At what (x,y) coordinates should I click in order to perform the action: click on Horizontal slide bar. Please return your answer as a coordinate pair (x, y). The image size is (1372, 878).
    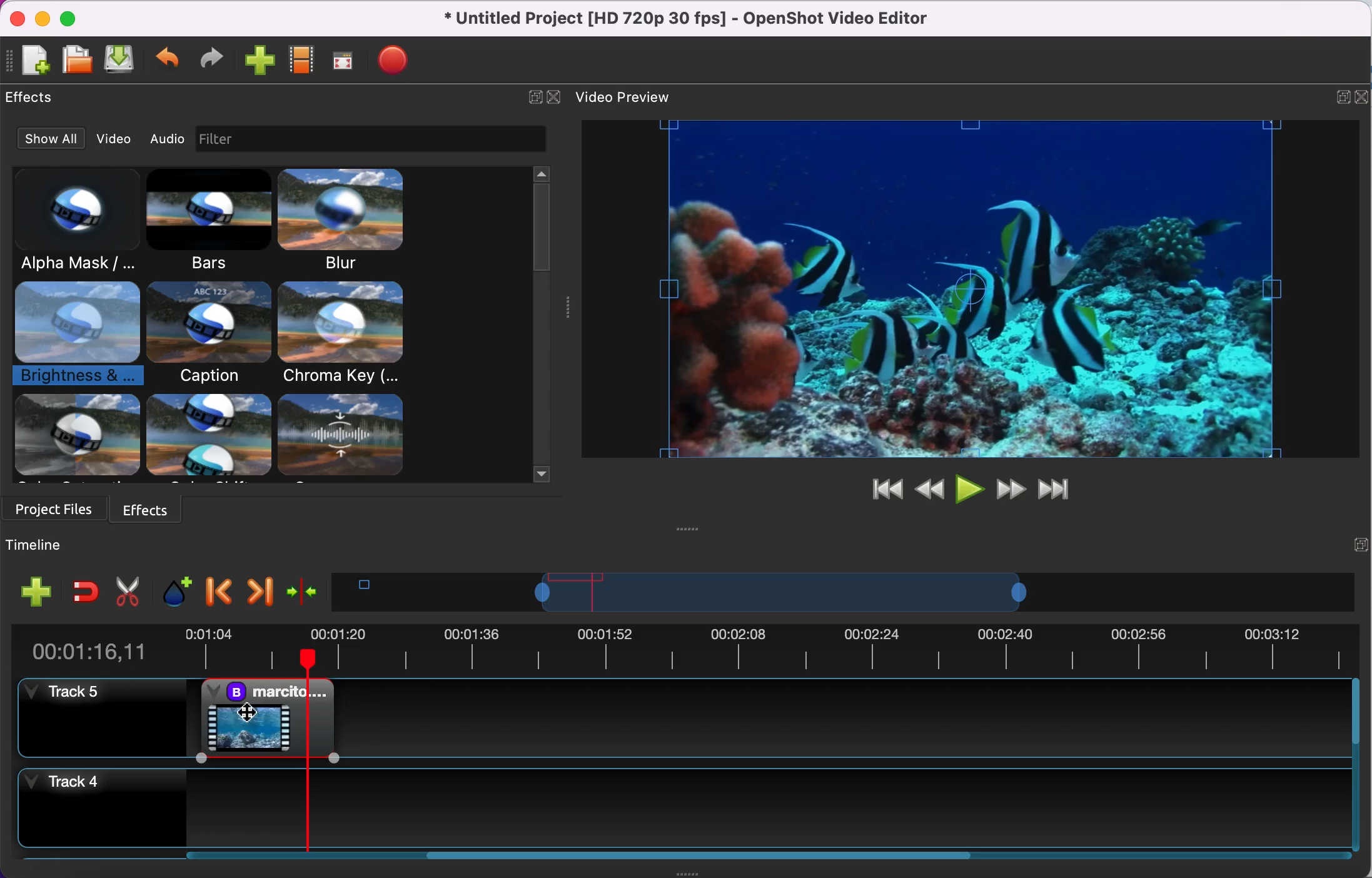
    Looking at the image, I should click on (753, 855).